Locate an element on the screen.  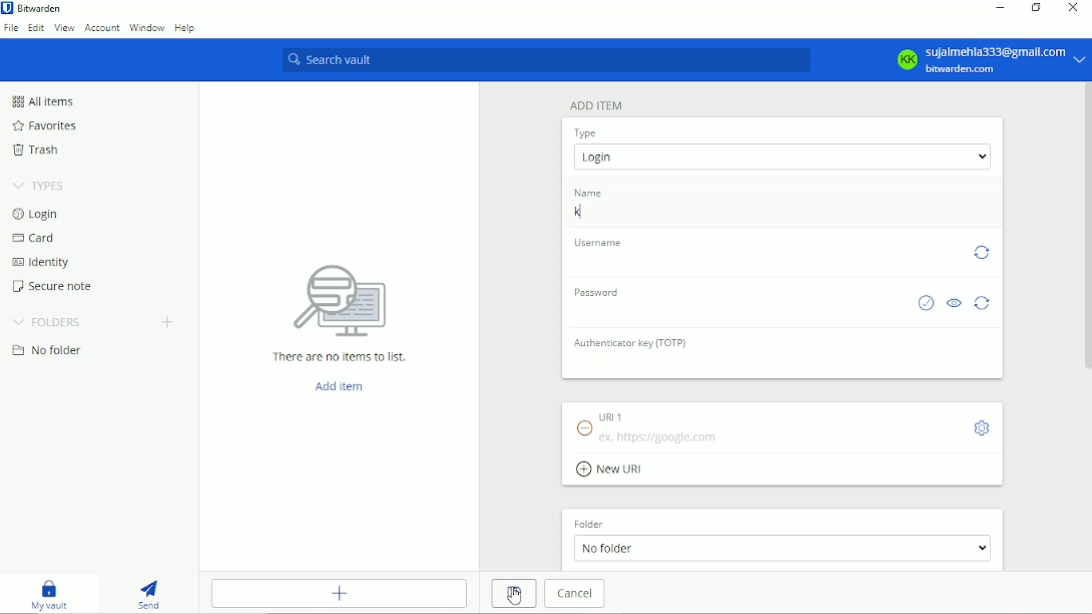
Add item is located at coordinates (341, 593).